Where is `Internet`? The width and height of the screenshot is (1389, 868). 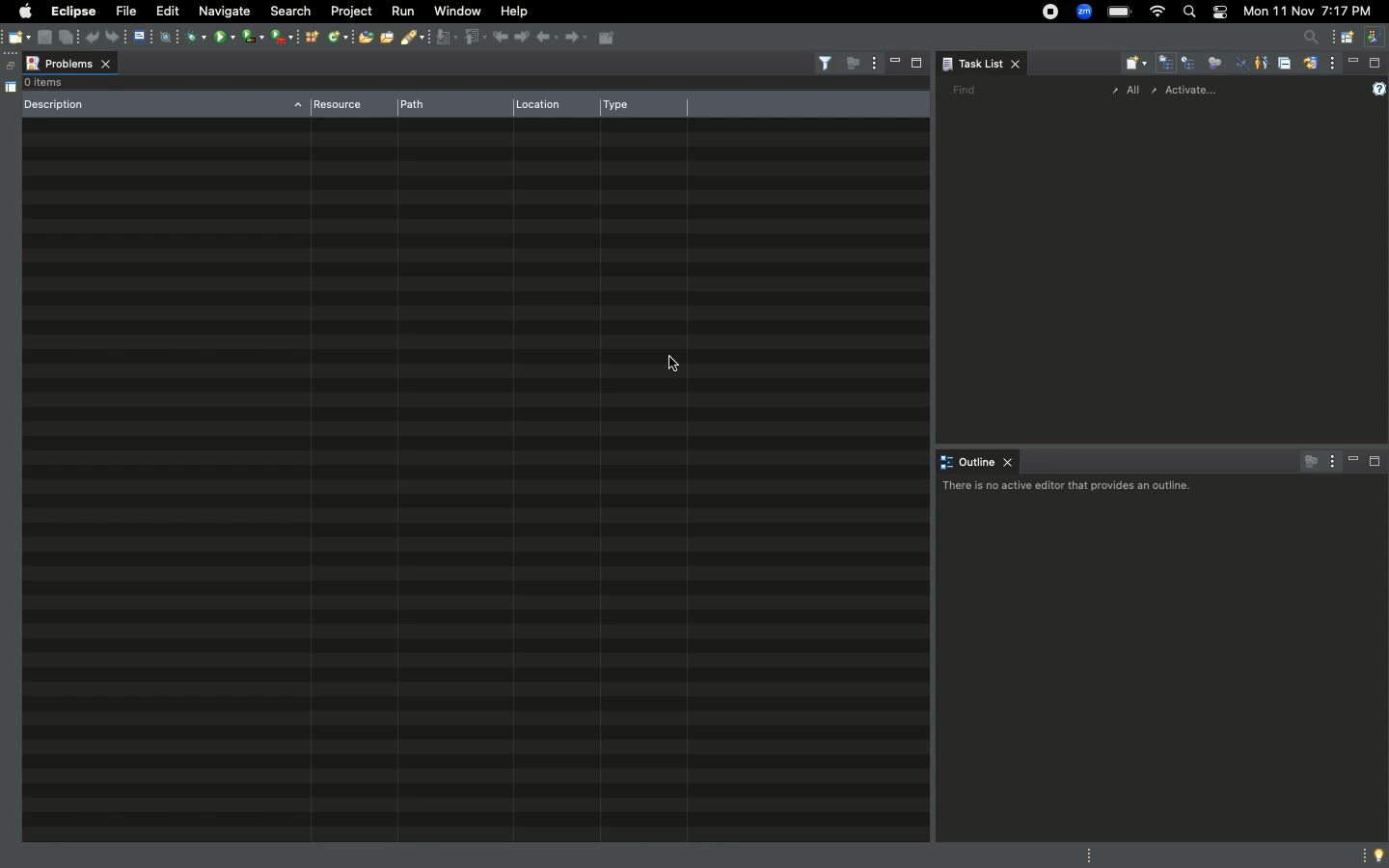
Internet is located at coordinates (1156, 12).